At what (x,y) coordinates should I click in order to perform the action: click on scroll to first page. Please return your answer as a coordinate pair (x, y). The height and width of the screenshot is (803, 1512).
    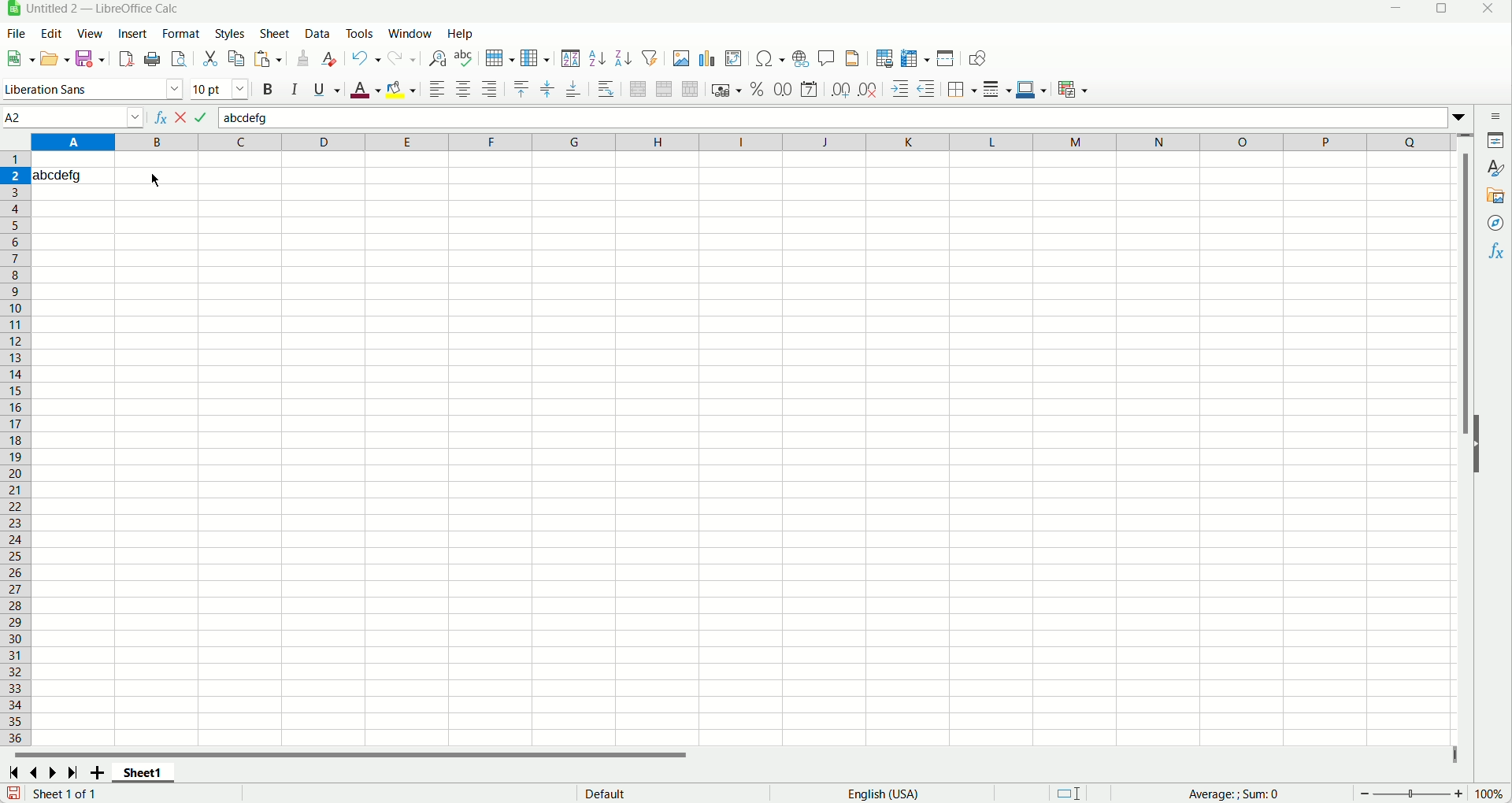
    Looking at the image, I should click on (13, 772).